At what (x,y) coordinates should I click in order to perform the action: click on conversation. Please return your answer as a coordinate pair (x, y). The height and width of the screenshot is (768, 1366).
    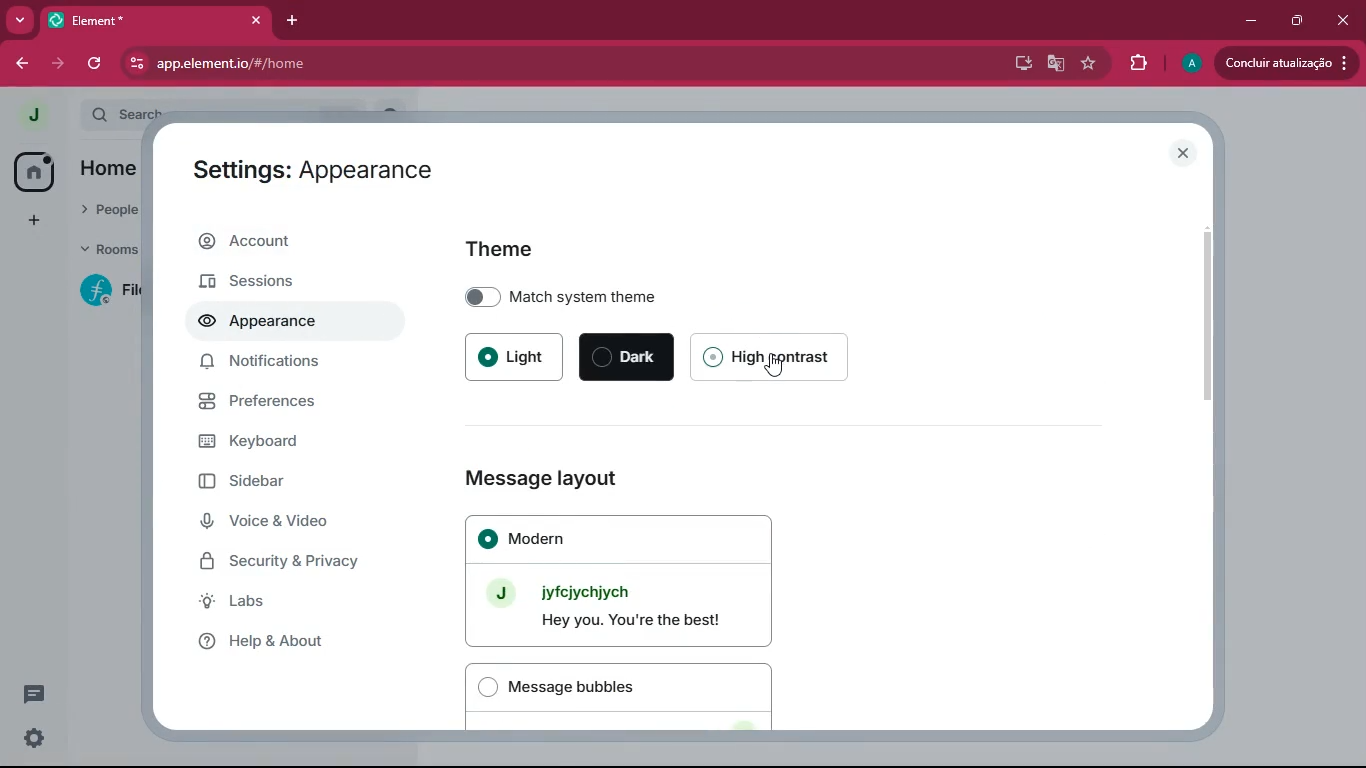
    Looking at the image, I should click on (32, 693).